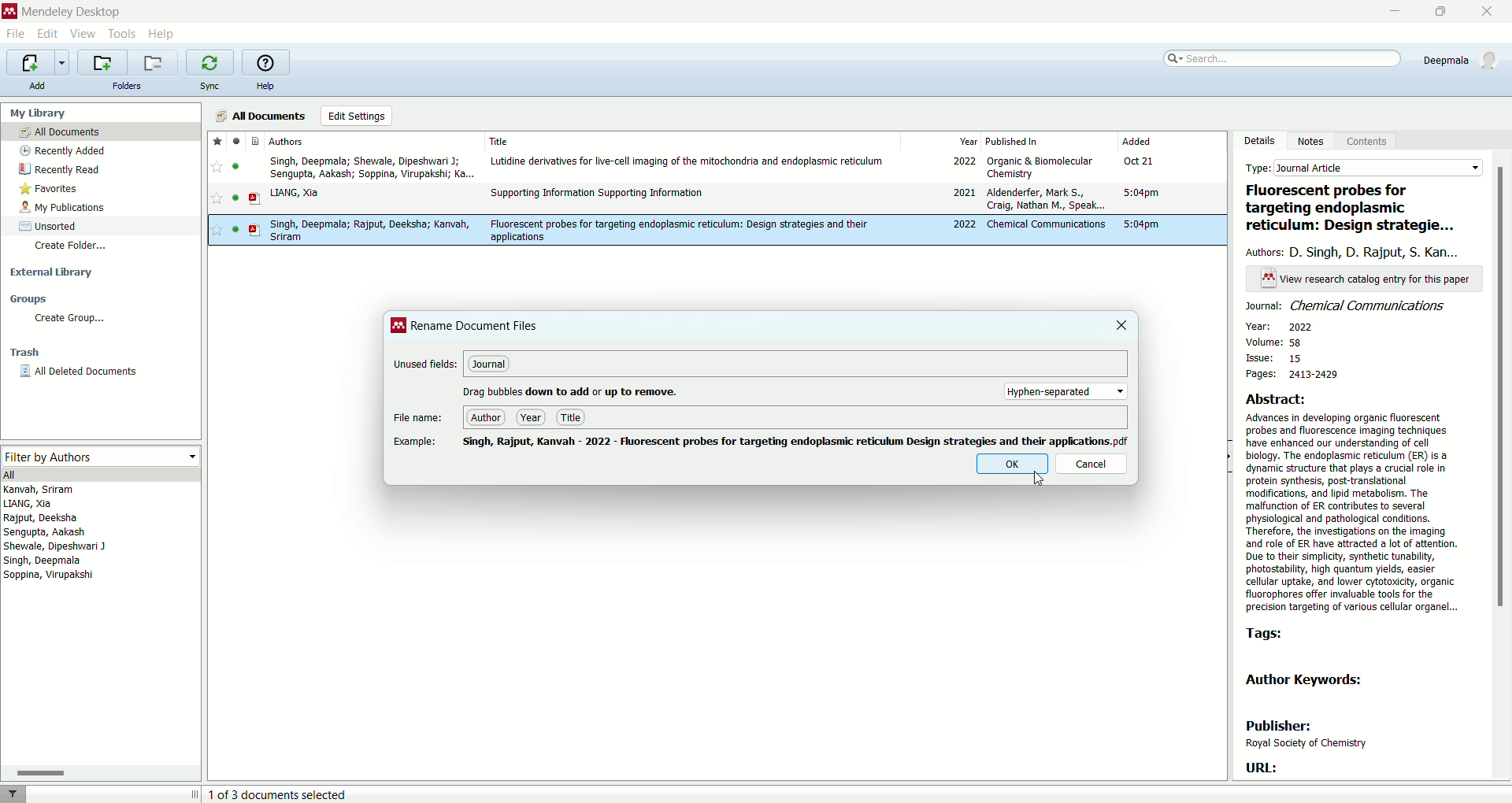 This screenshot has width=1512, height=803. I want to click on filter by authors, so click(98, 454).